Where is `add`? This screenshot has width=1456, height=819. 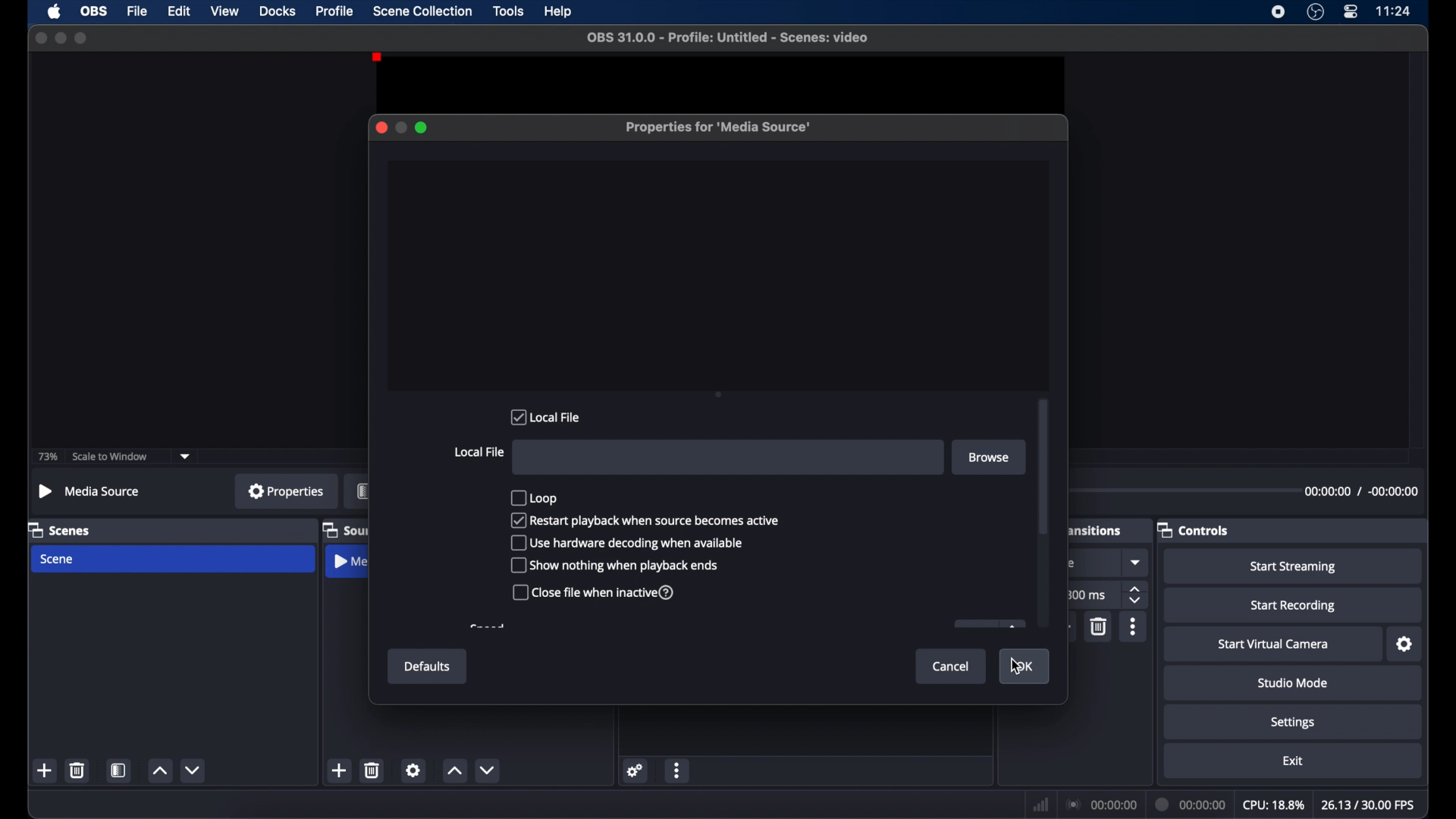 add is located at coordinates (45, 770).